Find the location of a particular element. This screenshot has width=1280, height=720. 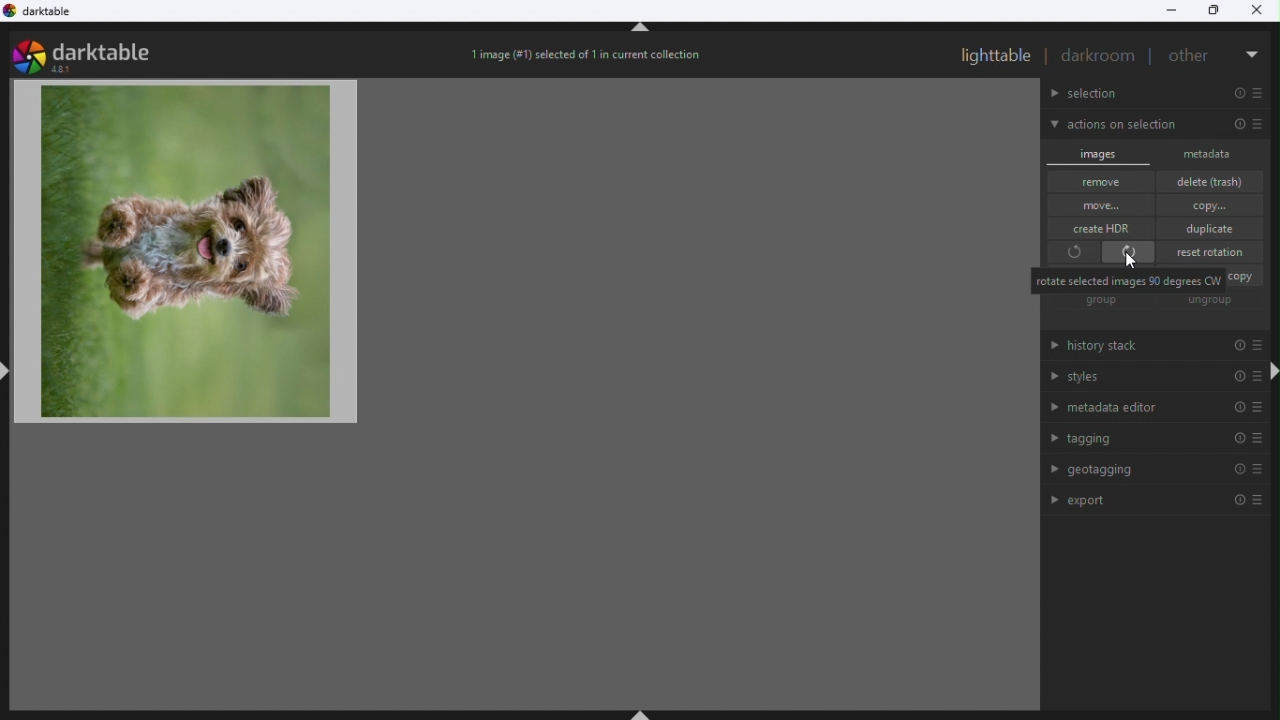

Group is located at coordinates (1102, 302).